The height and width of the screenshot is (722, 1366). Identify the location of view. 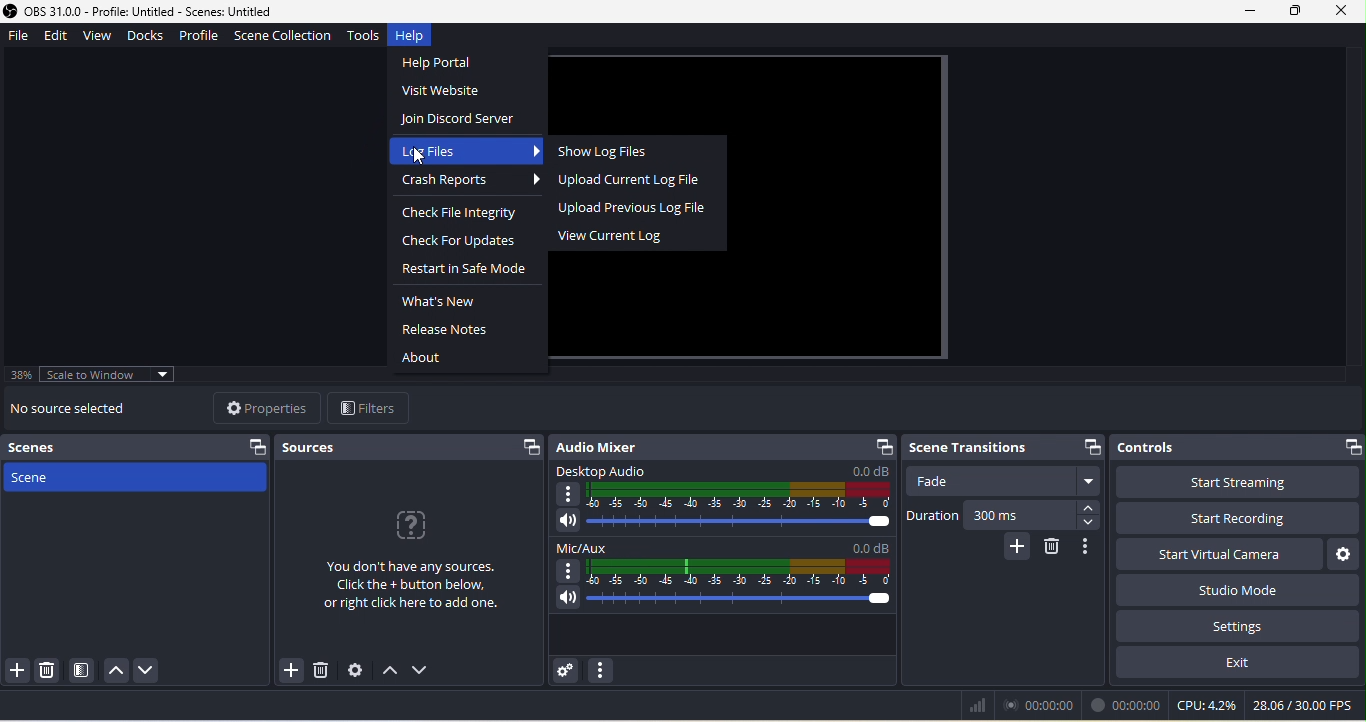
(101, 37).